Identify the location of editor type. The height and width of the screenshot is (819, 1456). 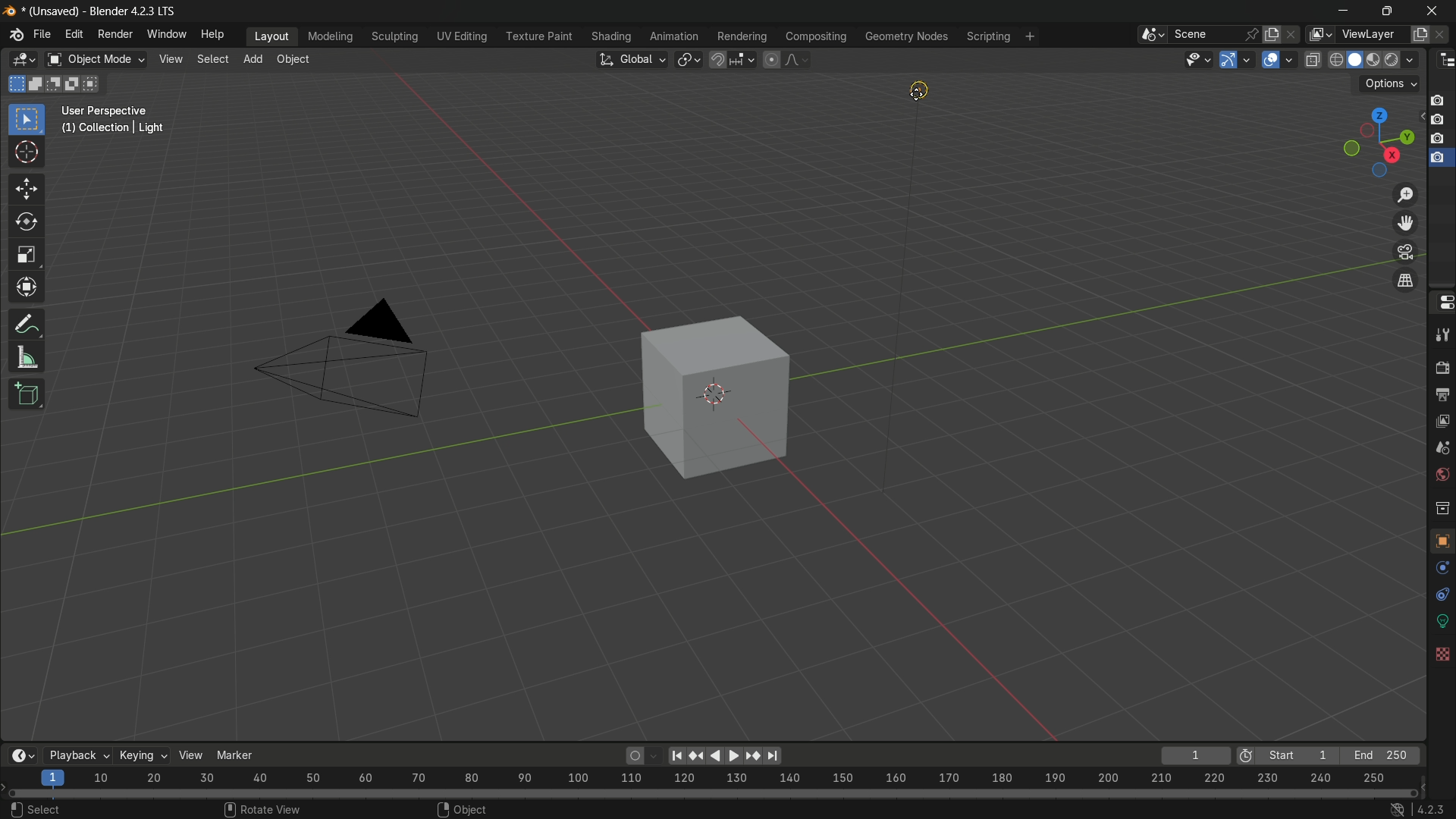
(1442, 61).